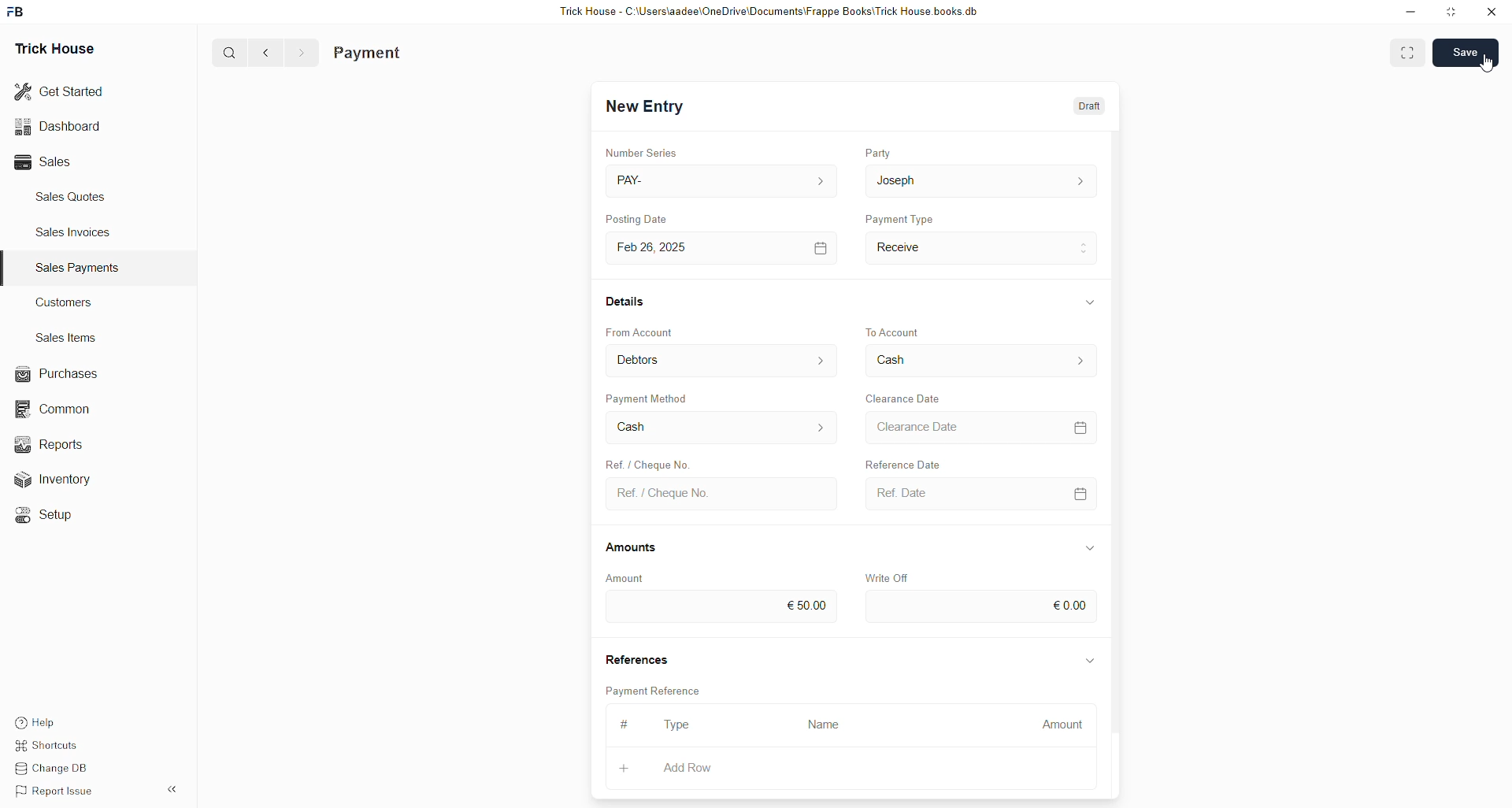 This screenshot has height=808, width=1512. I want to click on Search, so click(229, 52).